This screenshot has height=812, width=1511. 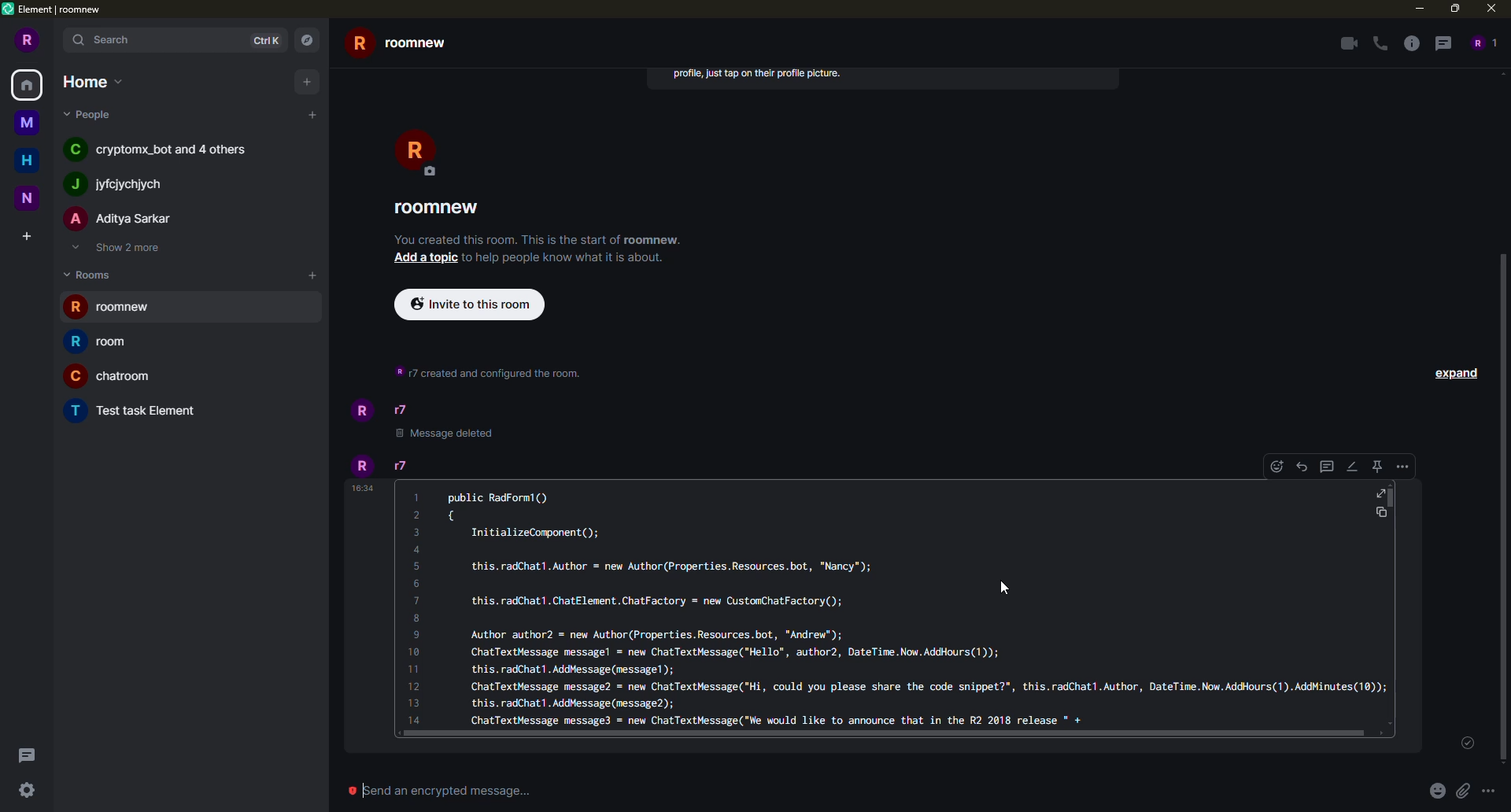 I want to click on info, so click(x=564, y=260).